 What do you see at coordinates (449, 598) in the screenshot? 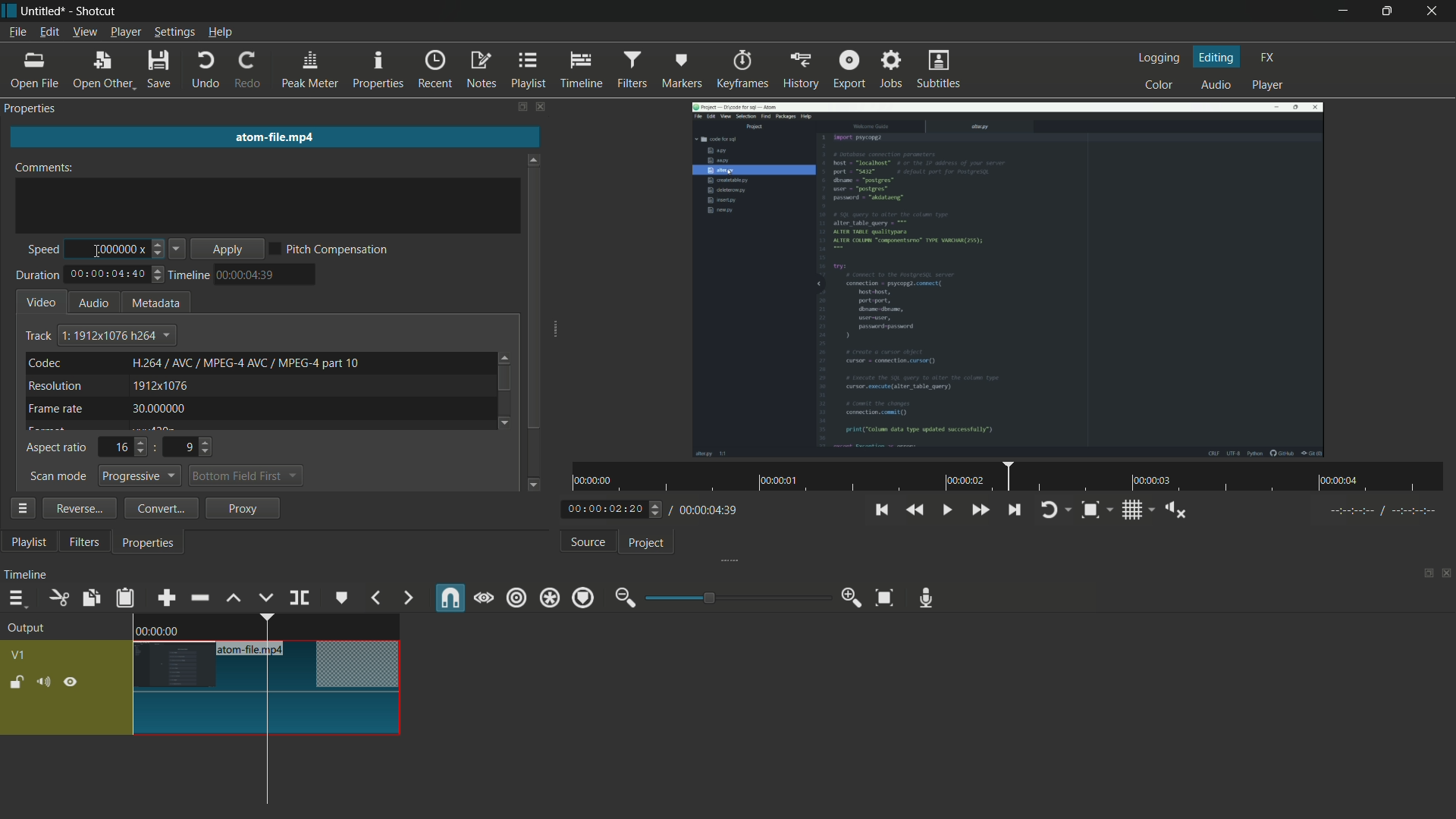
I see `snap` at bounding box center [449, 598].